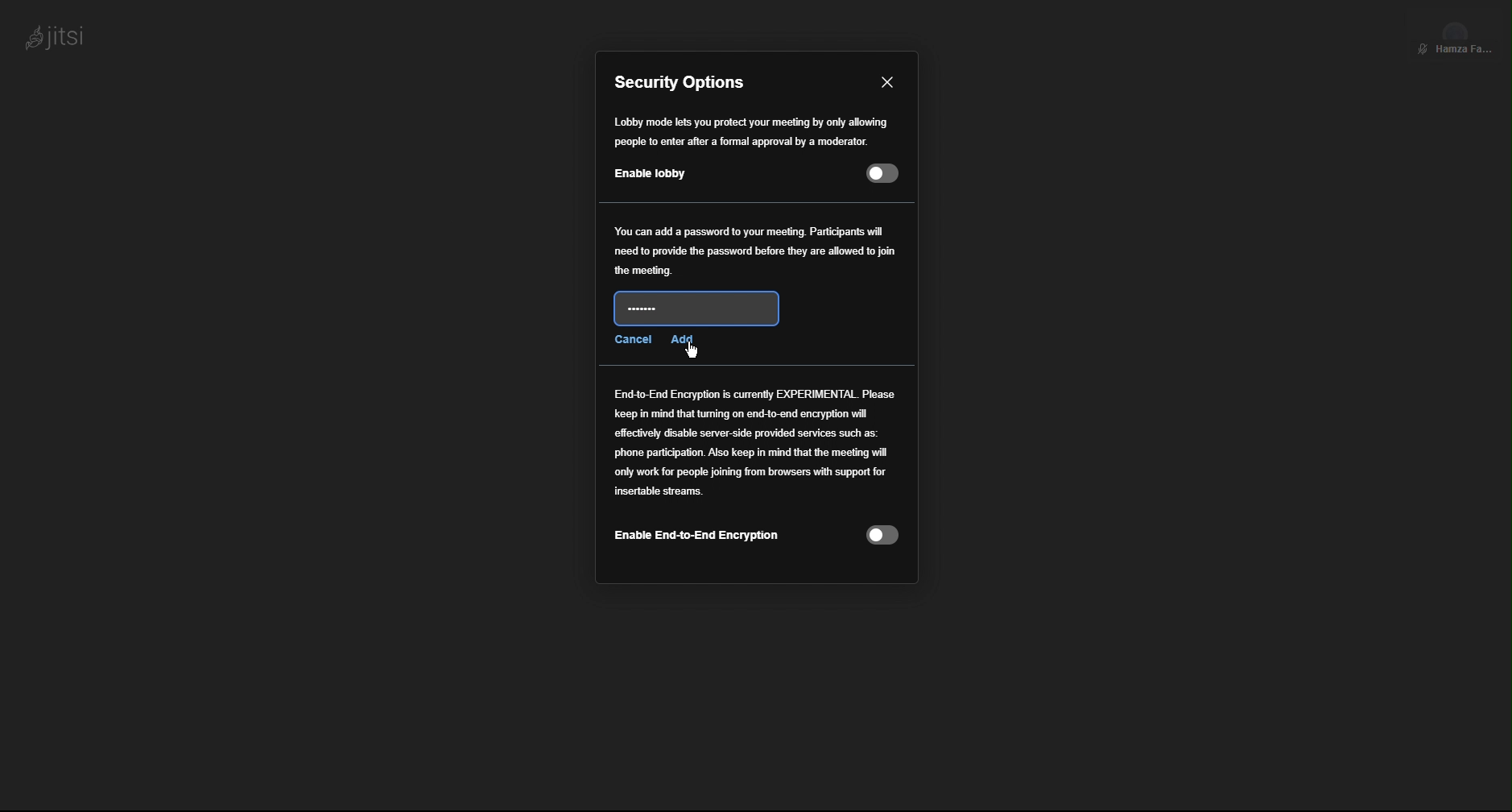 This screenshot has height=812, width=1512. Describe the element at coordinates (631, 338) in the screenshot. I see `Cancel ` at that location.